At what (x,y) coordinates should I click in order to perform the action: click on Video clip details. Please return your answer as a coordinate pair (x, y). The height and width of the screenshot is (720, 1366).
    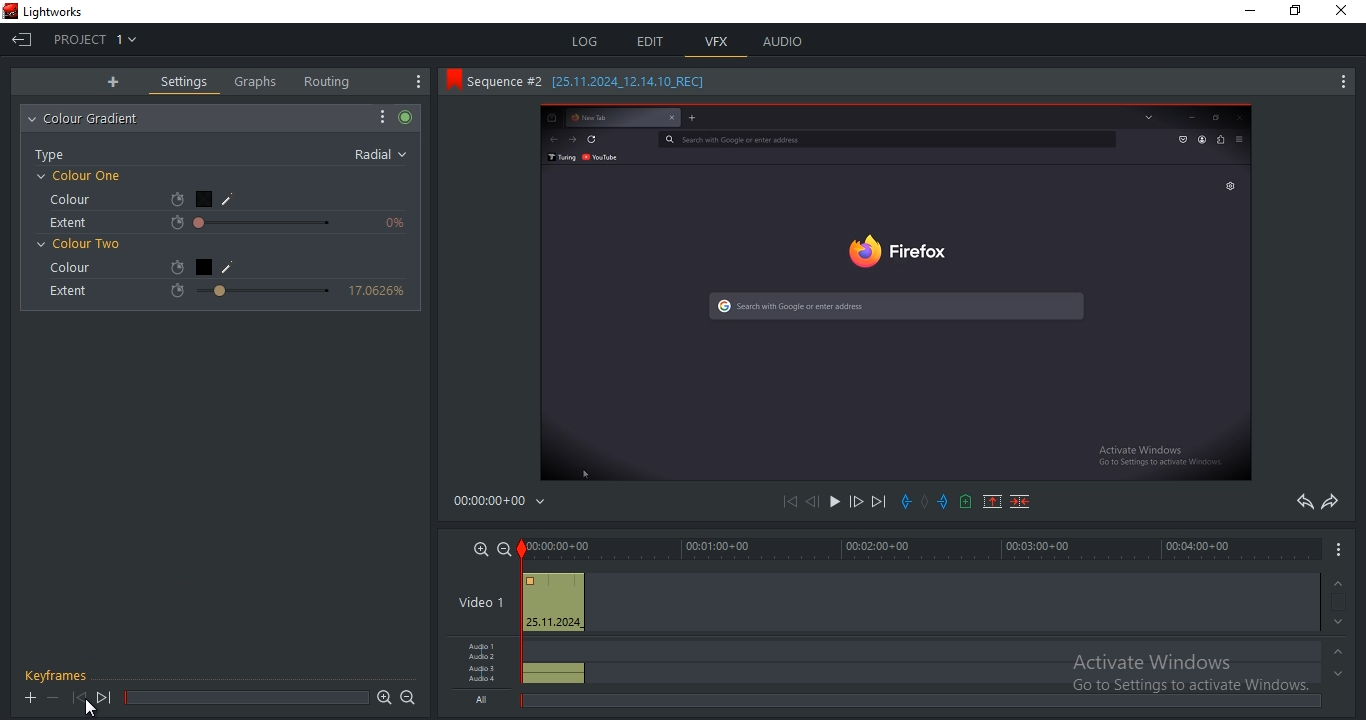
    Looking at the image, I should click on (554, 604).